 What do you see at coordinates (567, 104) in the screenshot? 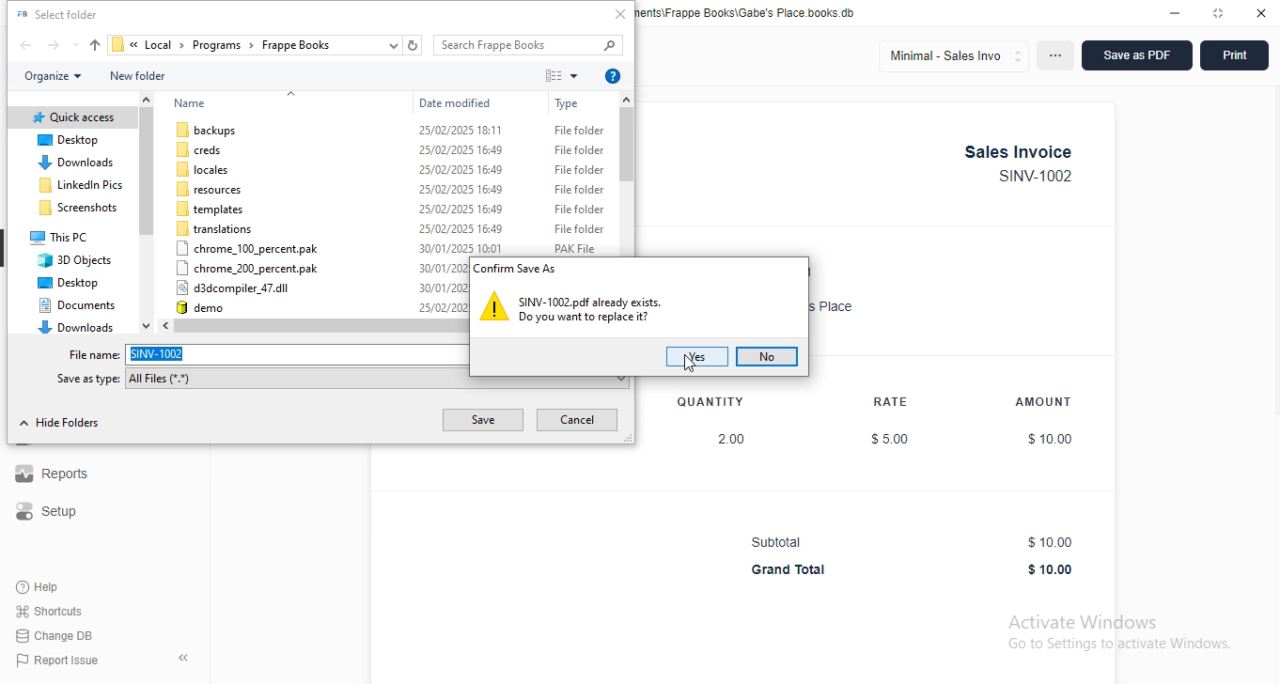
I see `type` at bounding box center [567, 104].